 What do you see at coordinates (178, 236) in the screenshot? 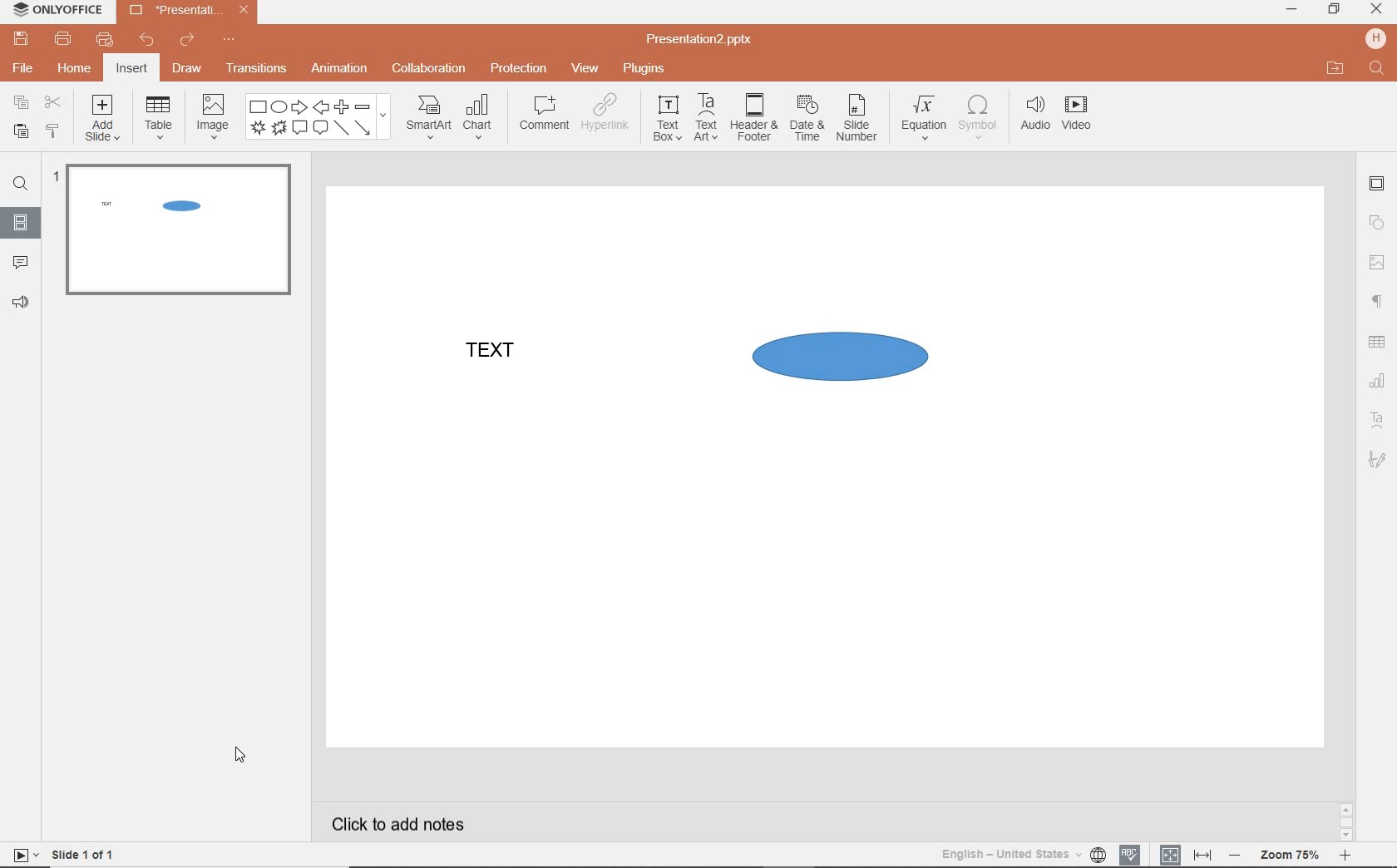
I see `SLIDE1` at bounding box center [178, 236].